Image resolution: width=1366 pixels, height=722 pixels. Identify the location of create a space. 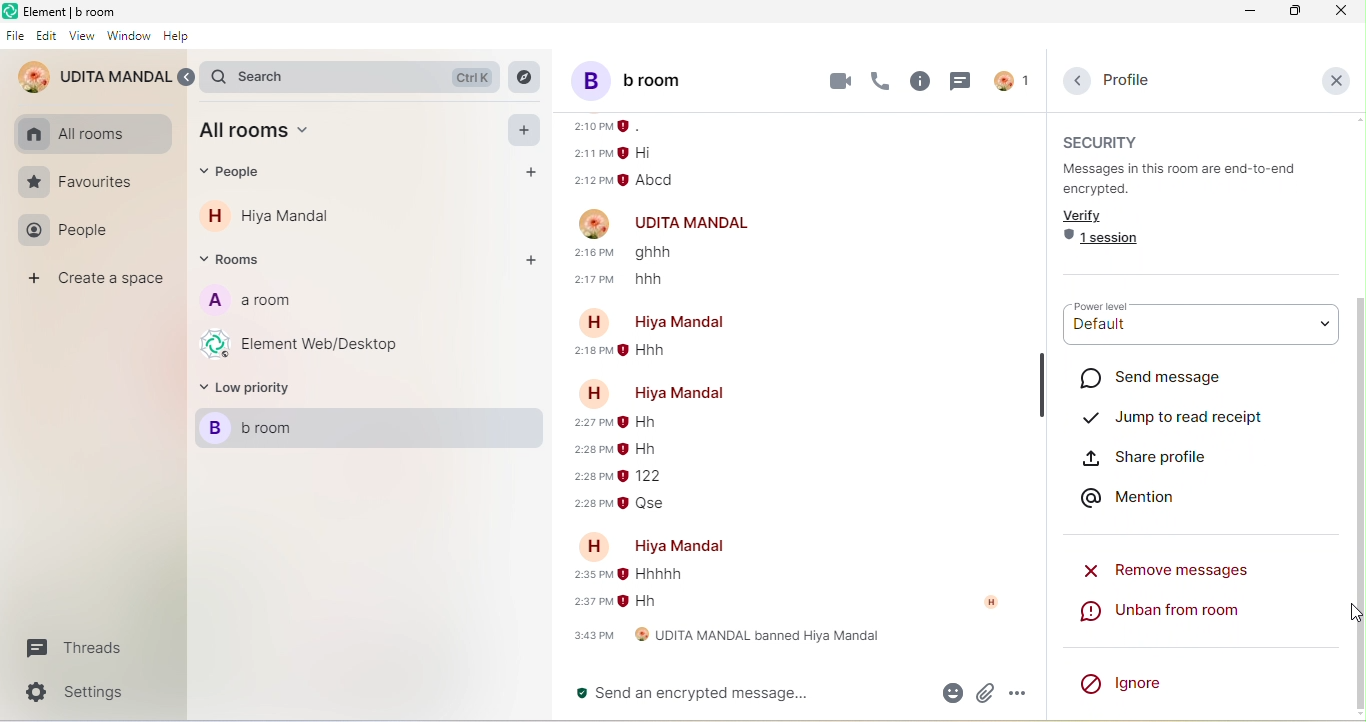
(100, 281).